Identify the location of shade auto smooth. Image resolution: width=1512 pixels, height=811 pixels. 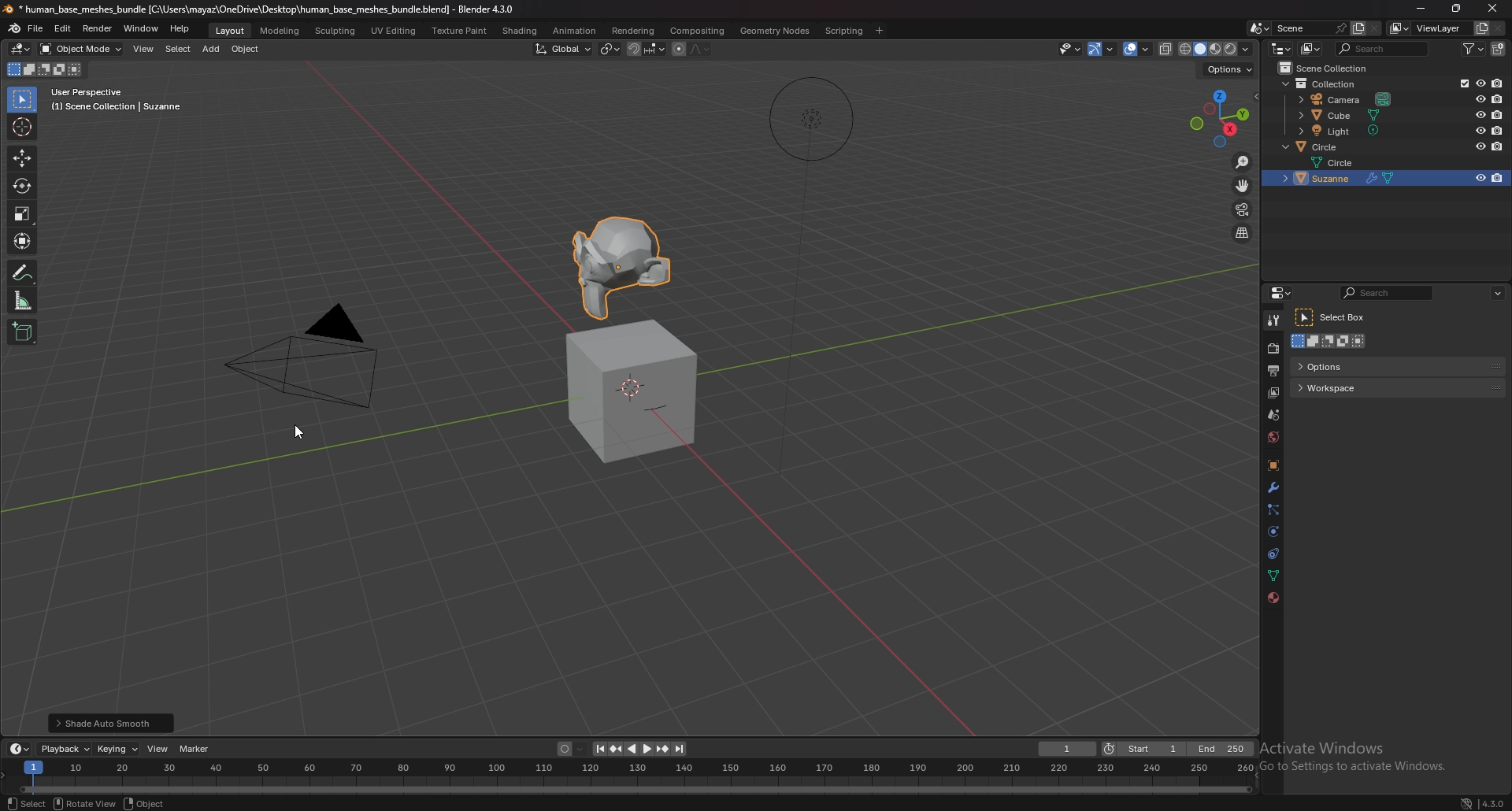
(115, 721).